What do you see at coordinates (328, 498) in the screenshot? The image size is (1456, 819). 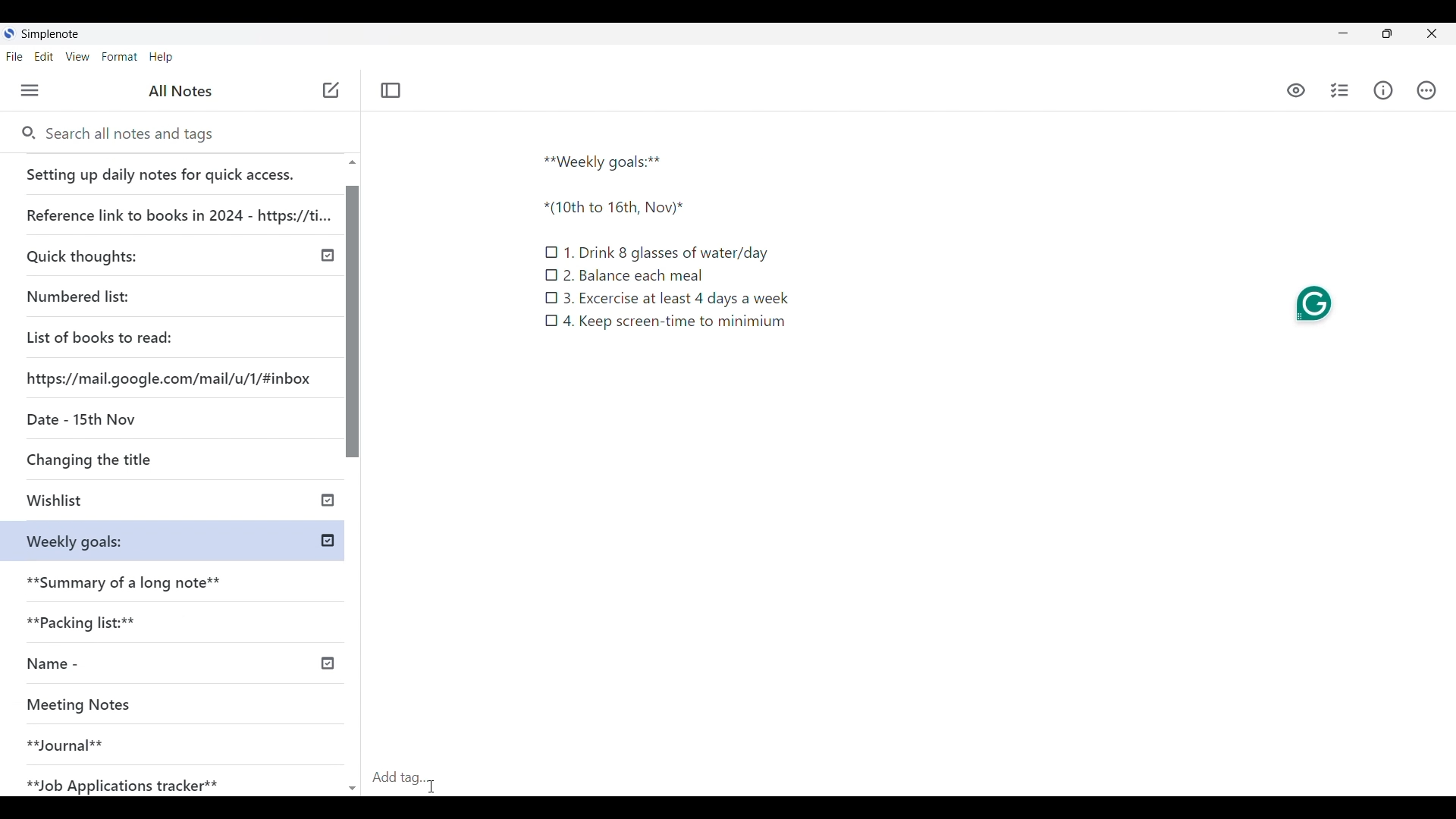 I see `published` at bounding box center [328, 498].